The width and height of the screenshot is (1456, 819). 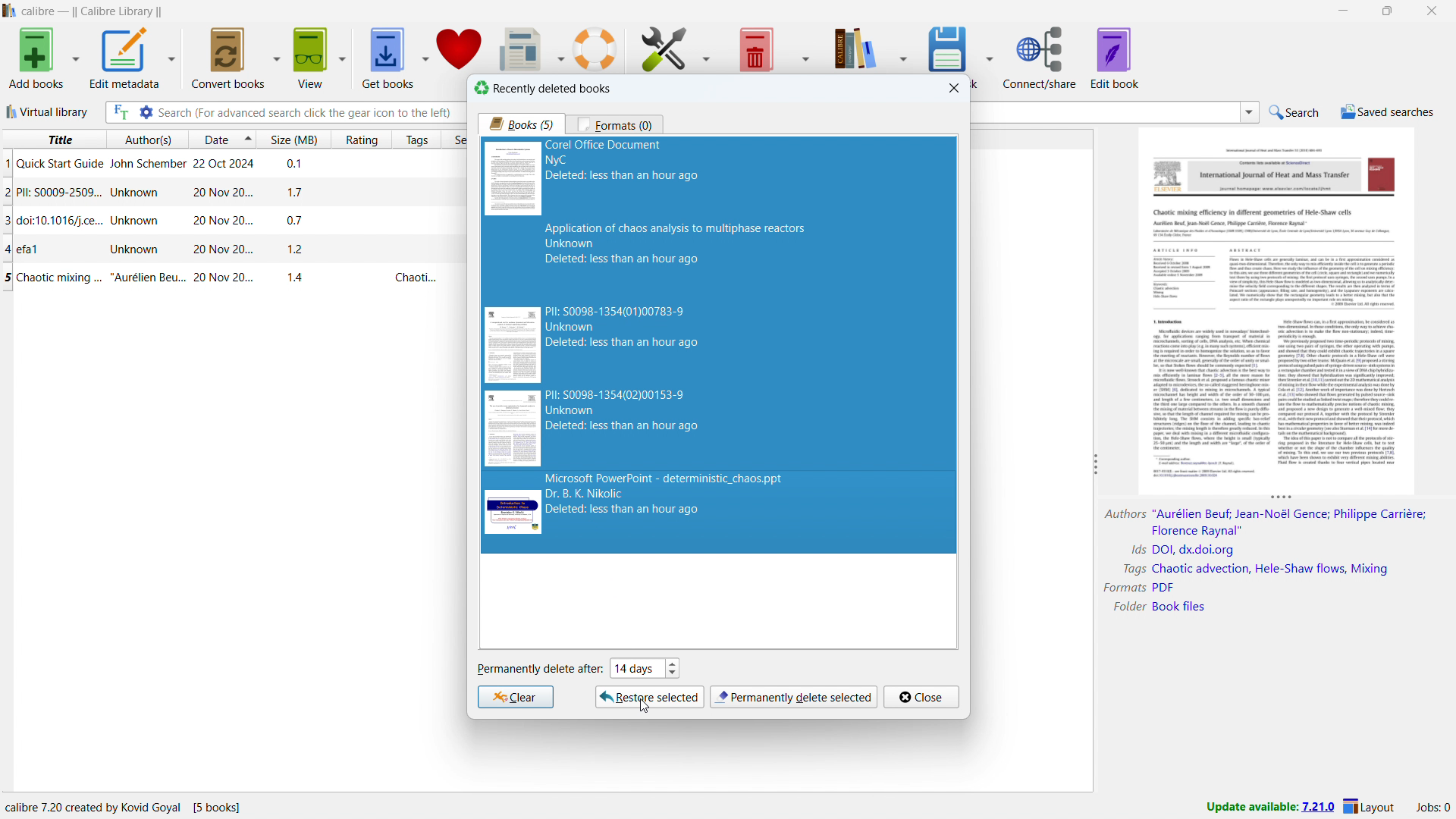 What do you see at coordinates (312, 58) in the screenshot?
I see `view` at bounding box center [312, 58].